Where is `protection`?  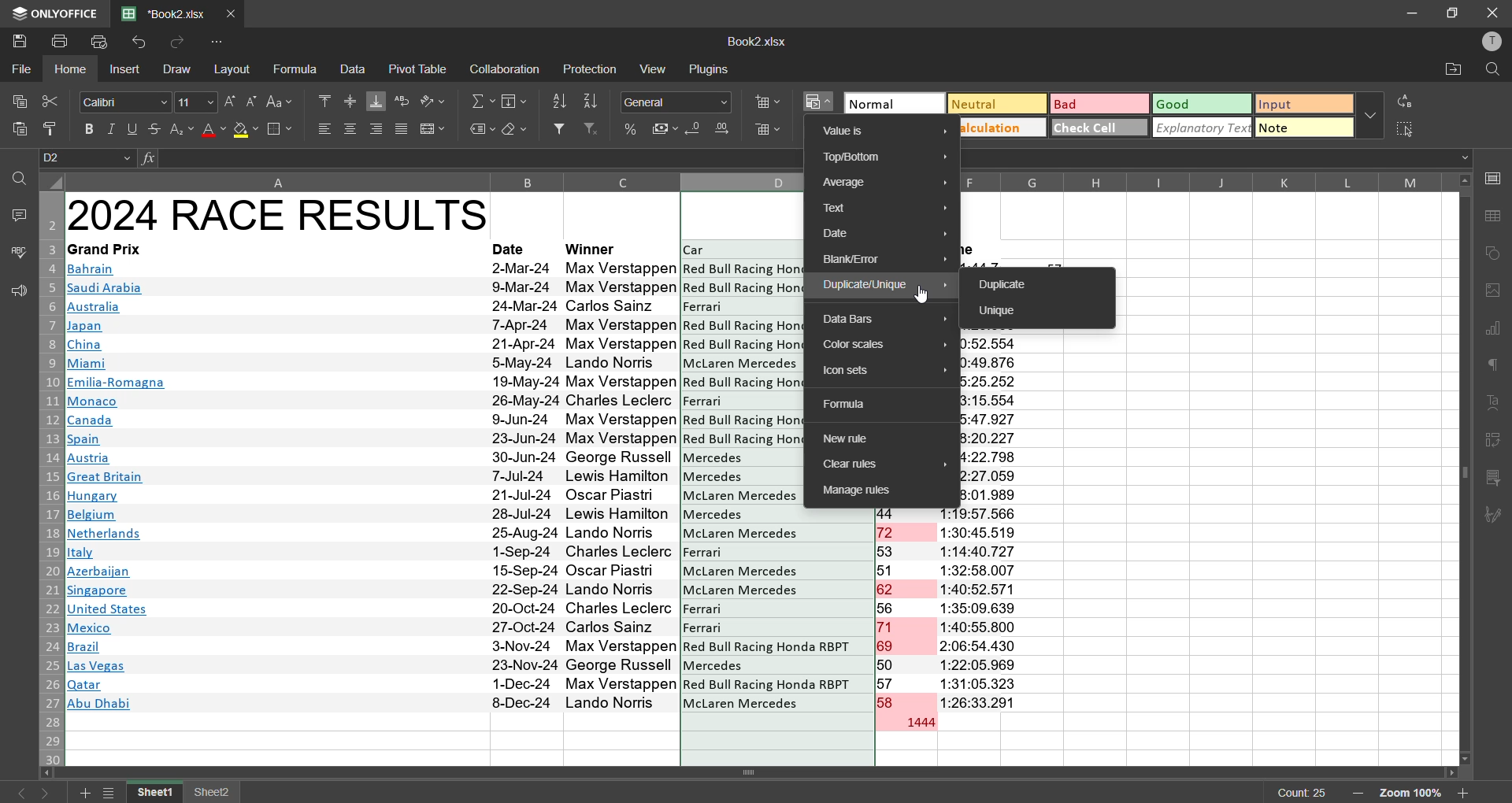 protection is located at coordinates (592, 71).